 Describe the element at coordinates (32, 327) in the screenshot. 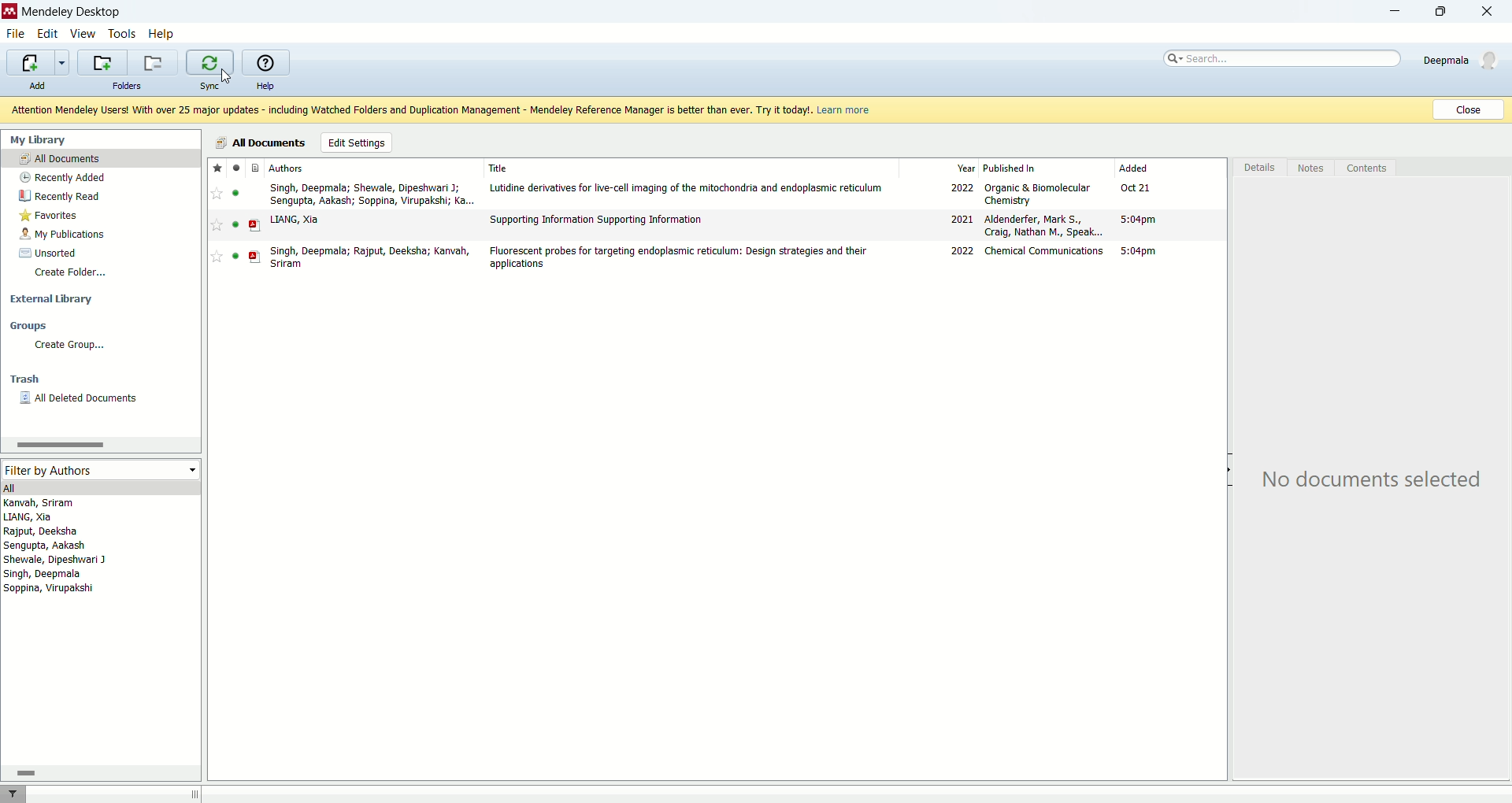

I see `groups` at that location.